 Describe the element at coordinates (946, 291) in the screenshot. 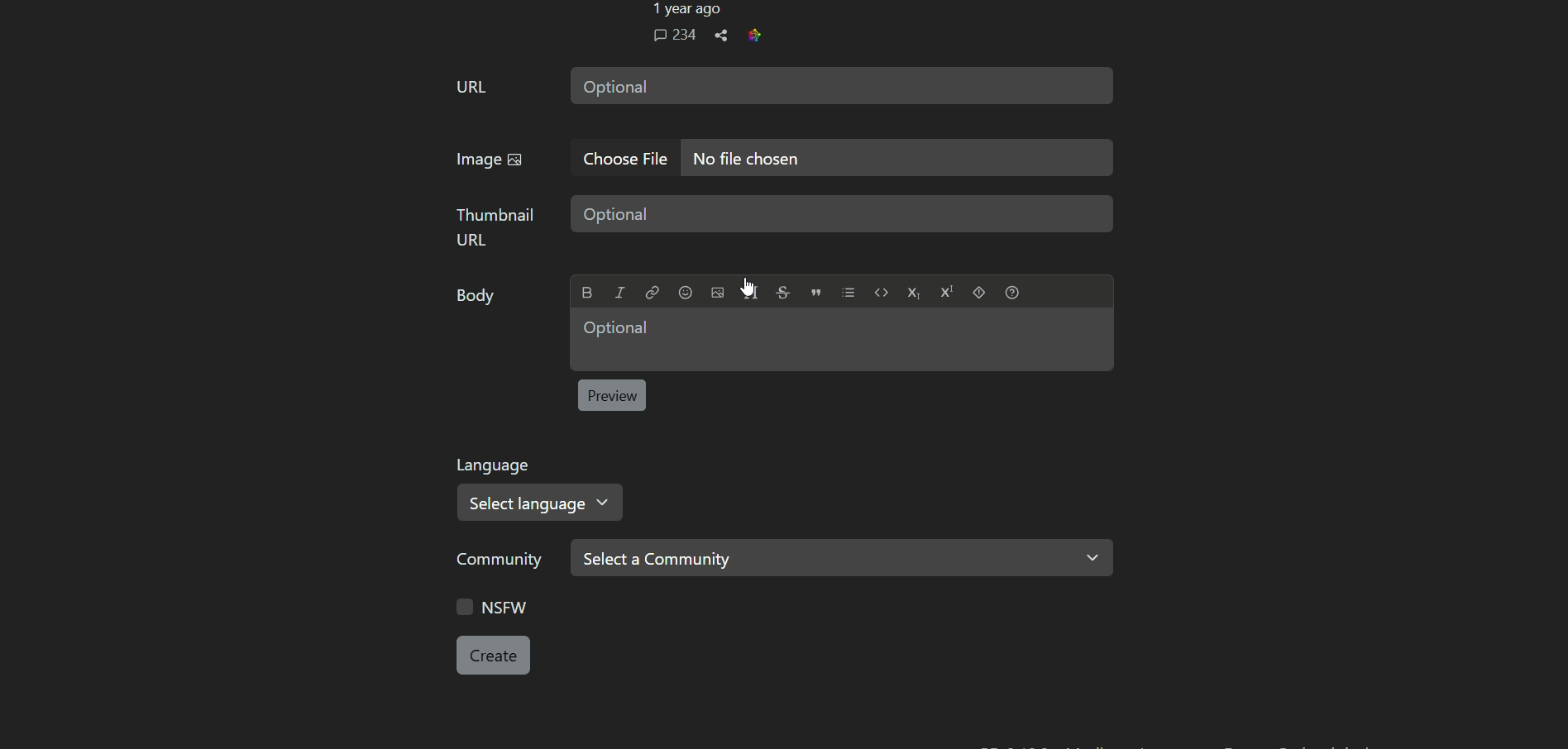

I see `Superscript` at that location.